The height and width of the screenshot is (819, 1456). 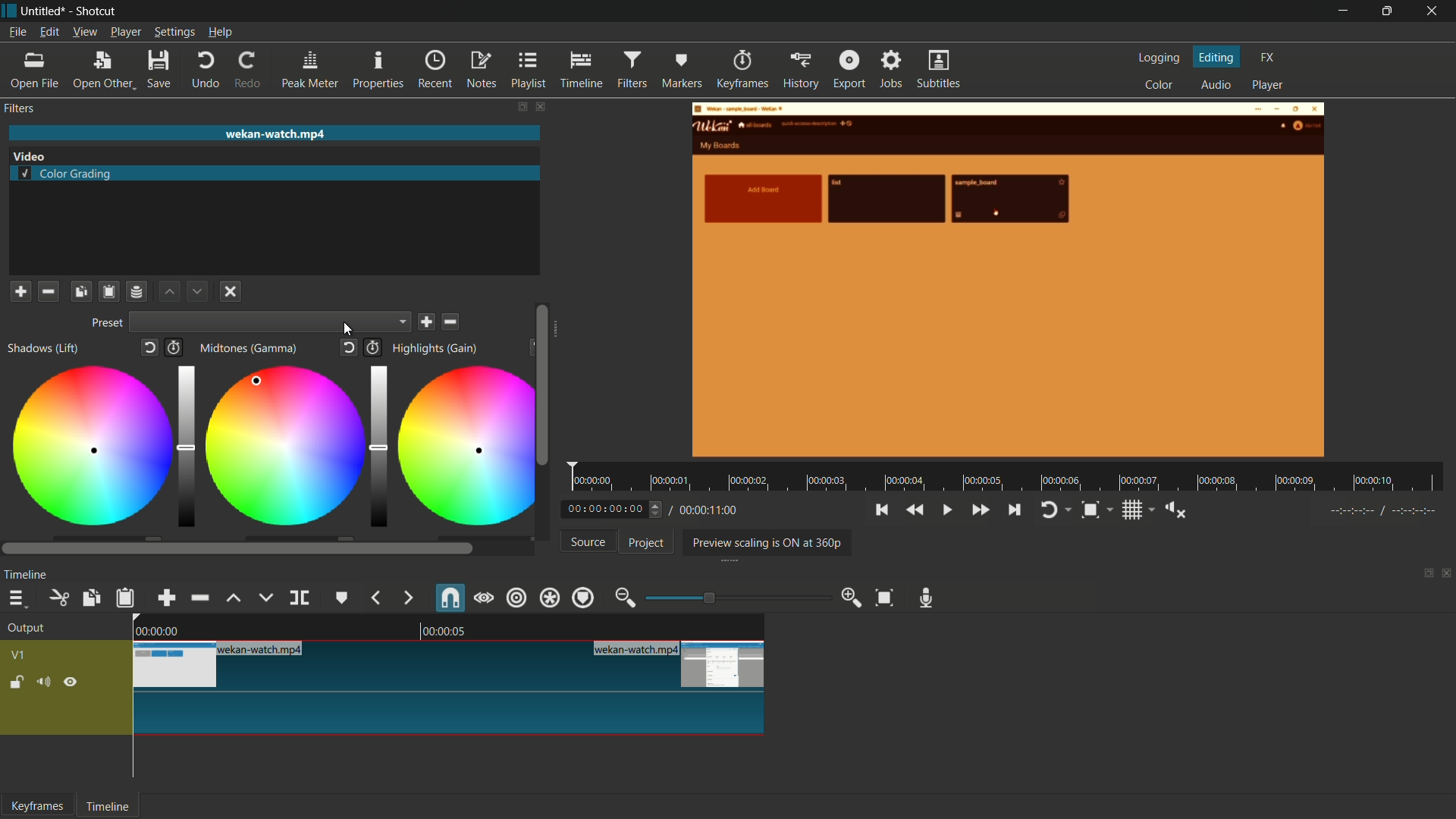 What do you see at coordinates (139, 292) in the screenshot?
I see `save filter set` at bounding box center [139, 292].